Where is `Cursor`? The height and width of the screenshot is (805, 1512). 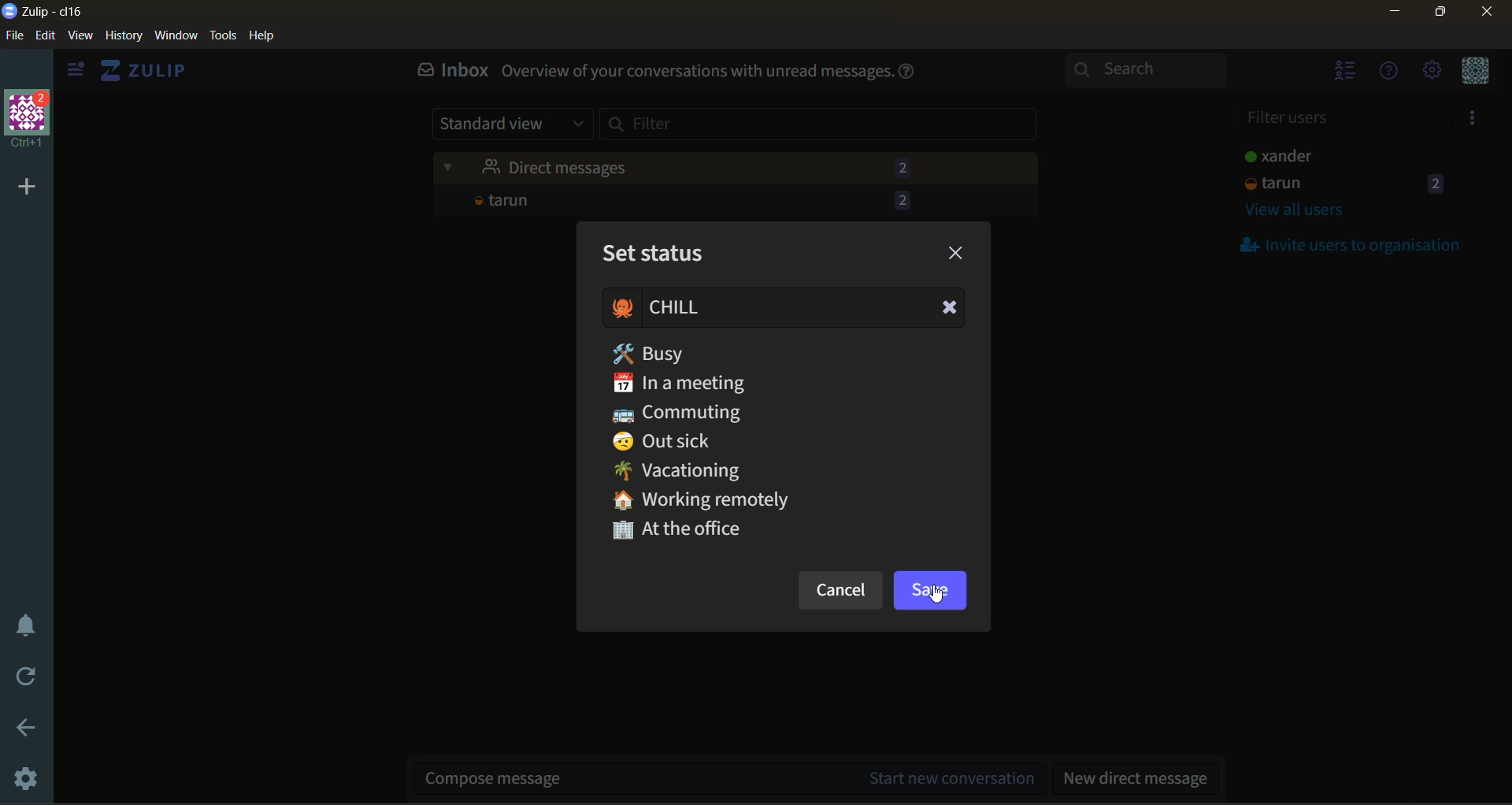 Cursor is located at coordinates (947, 595).